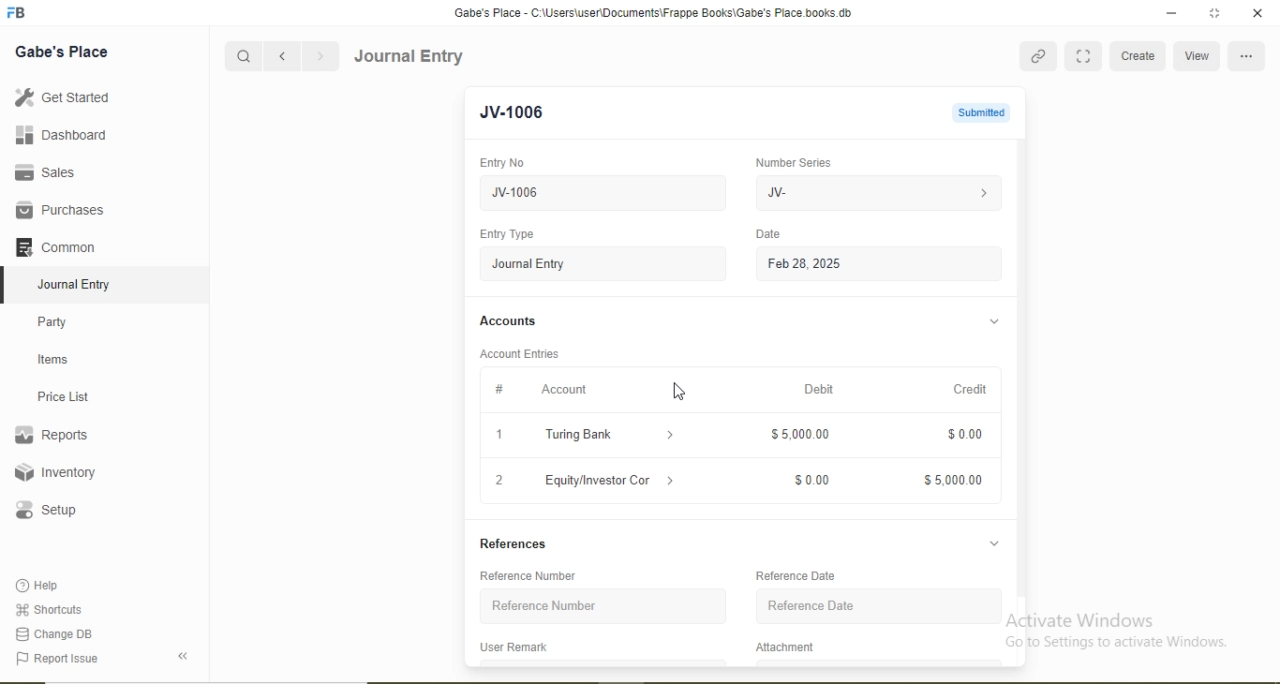 Image resolution: width=1280 pixels, height=684 pixels. I want to click on JV-1006, so click(520, 113).